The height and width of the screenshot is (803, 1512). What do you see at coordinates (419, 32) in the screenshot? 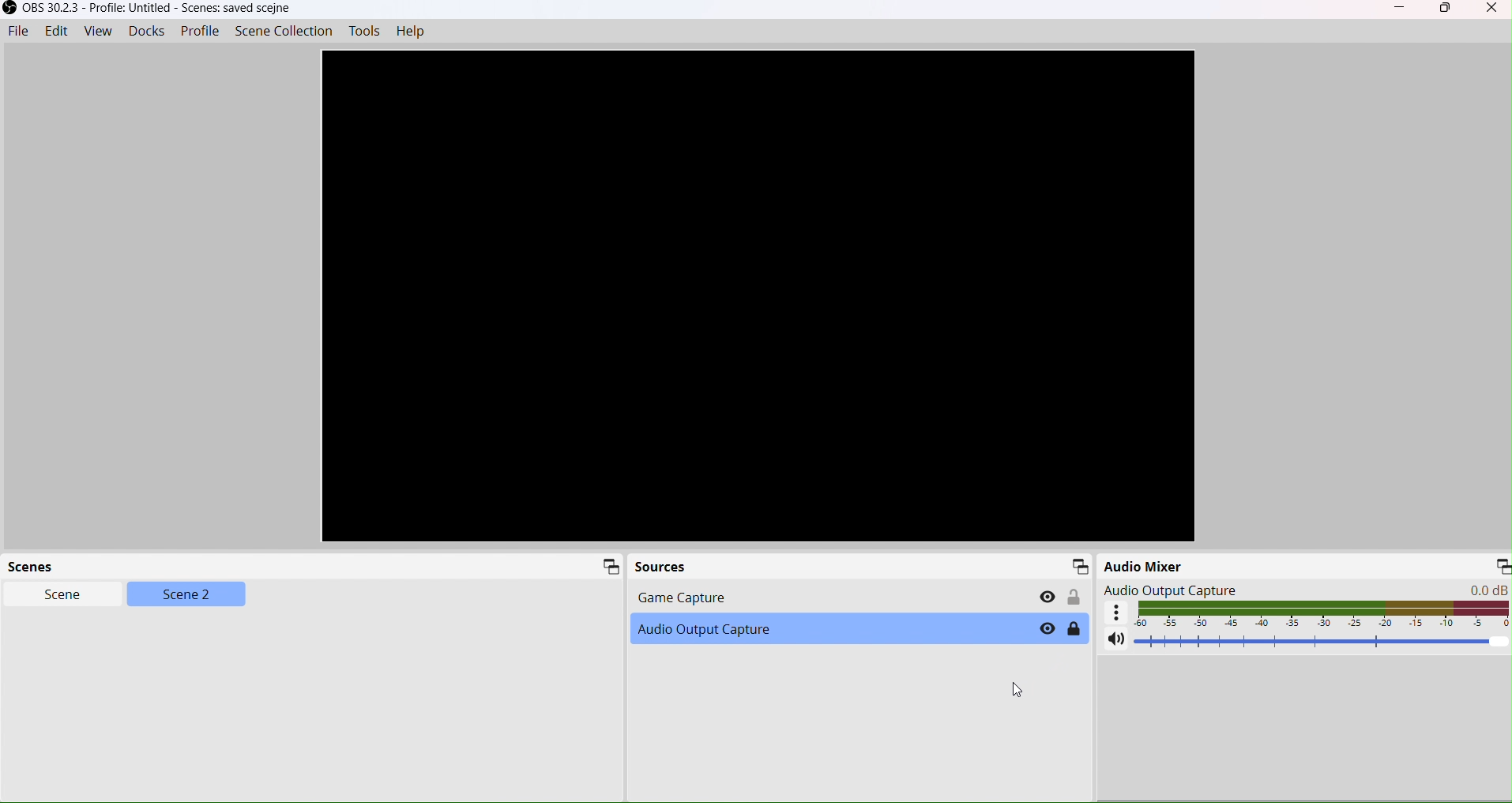
I see `Help` at bounding box center [419, 32].